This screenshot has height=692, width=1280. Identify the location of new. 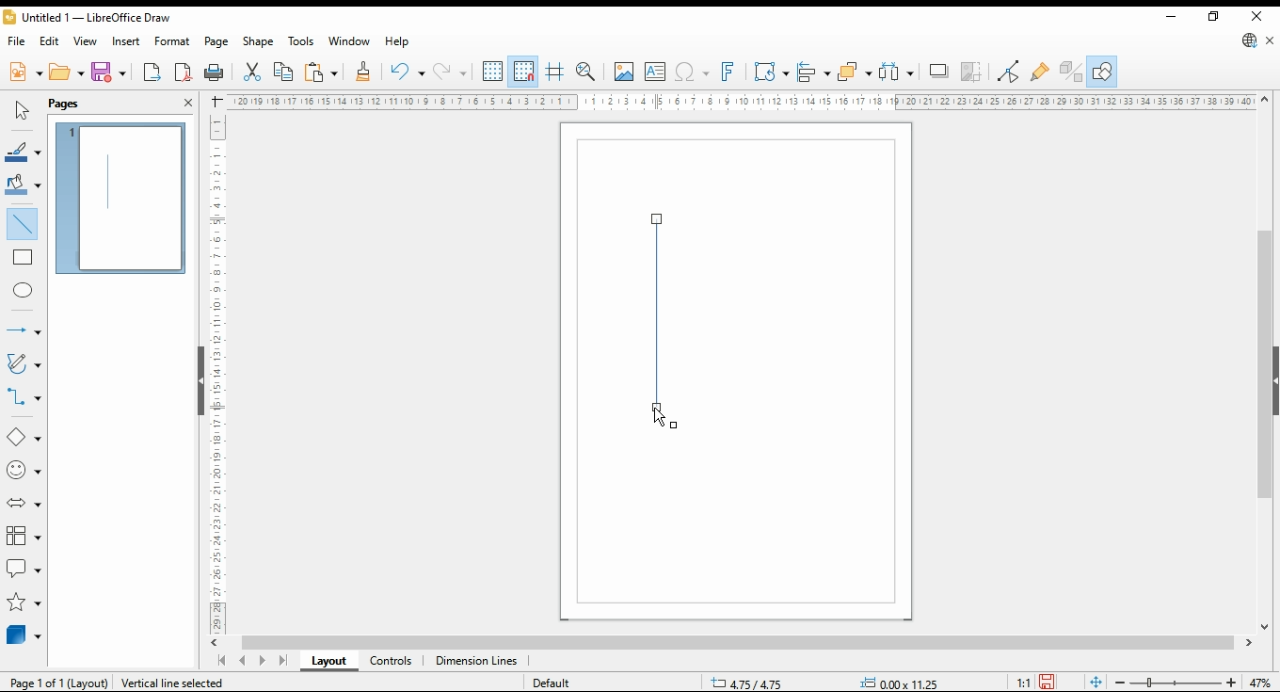
(24, 72).